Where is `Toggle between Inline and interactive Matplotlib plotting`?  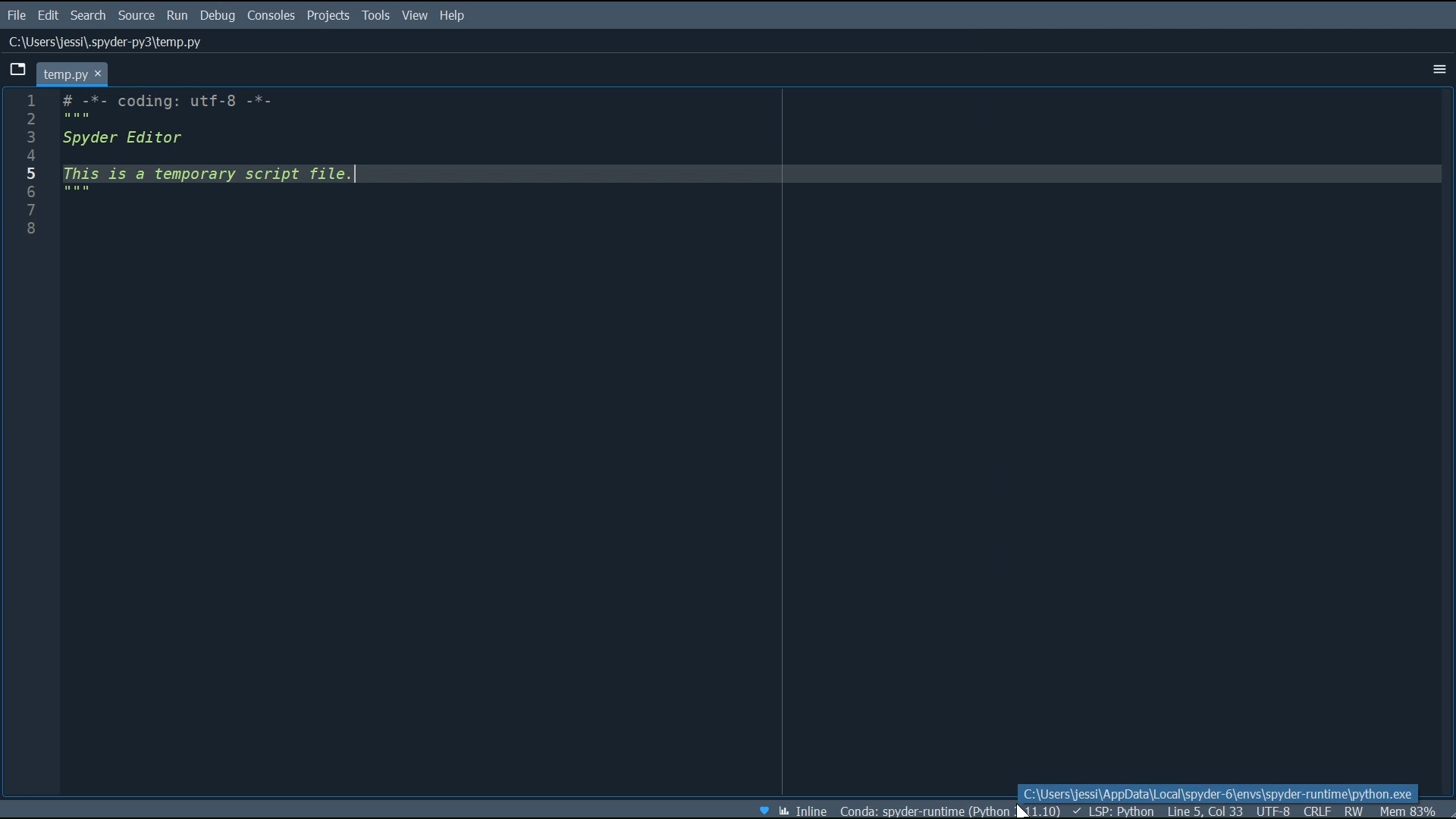
Toggle between Inline and interactive Matplotlib plotting is located at coordinates (804, 808).